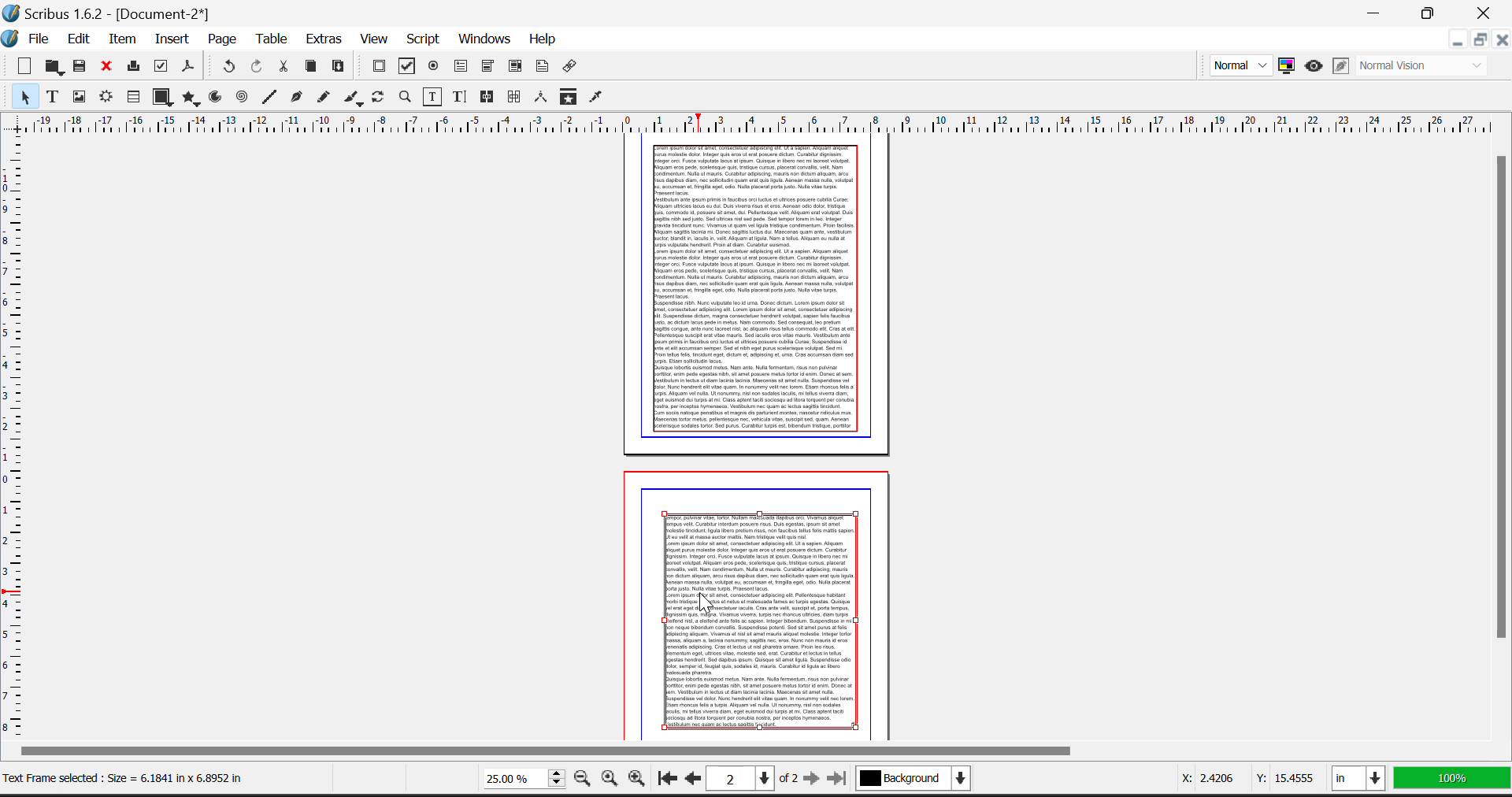  Describe the element at coordinates (709, 606) in the screenshot. I see `Cursor Position AFTER_LAST_ACTION` at that location.